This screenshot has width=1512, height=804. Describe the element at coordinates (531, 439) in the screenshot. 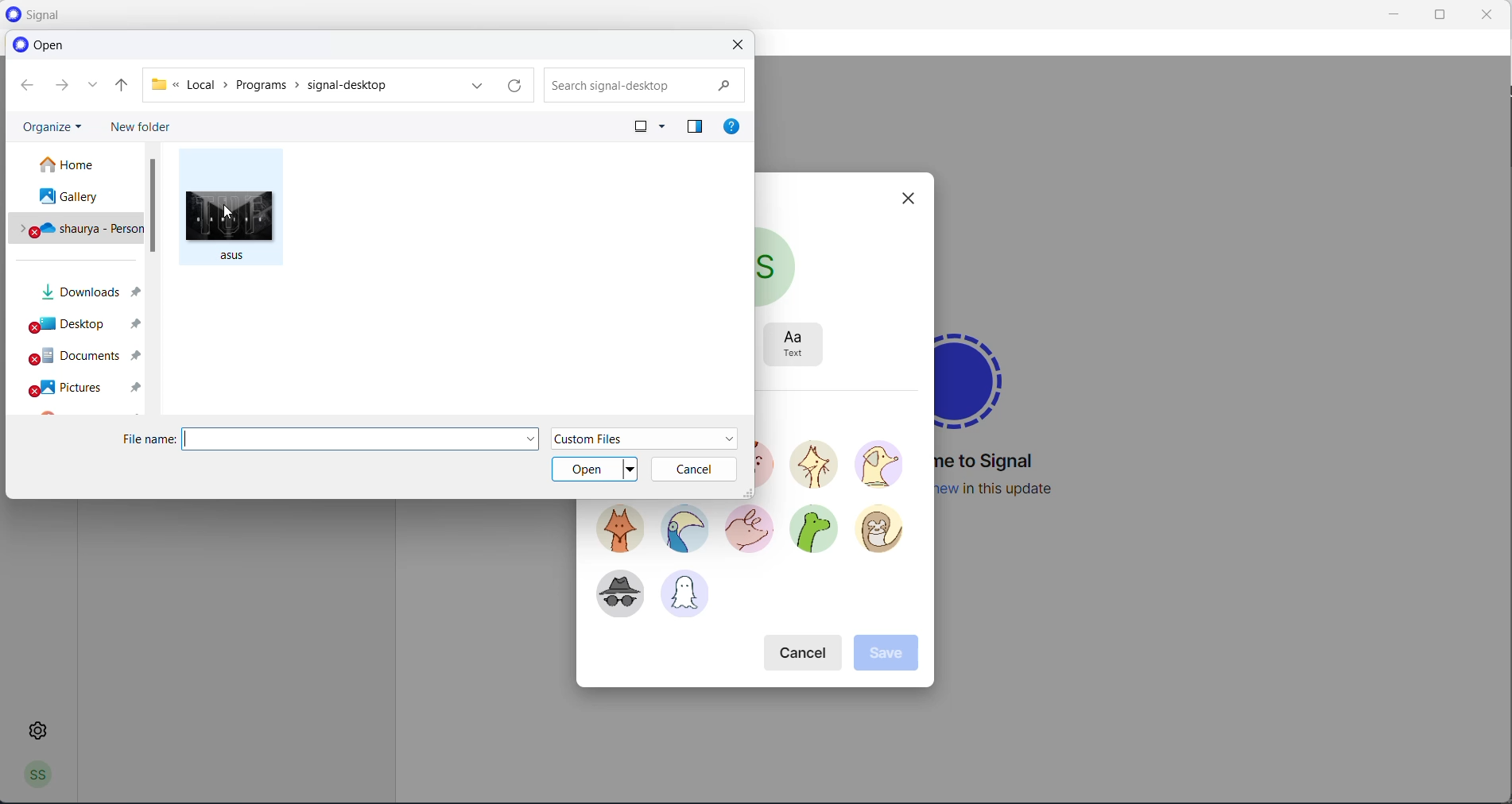

I see `file name dropdown button` at that location.